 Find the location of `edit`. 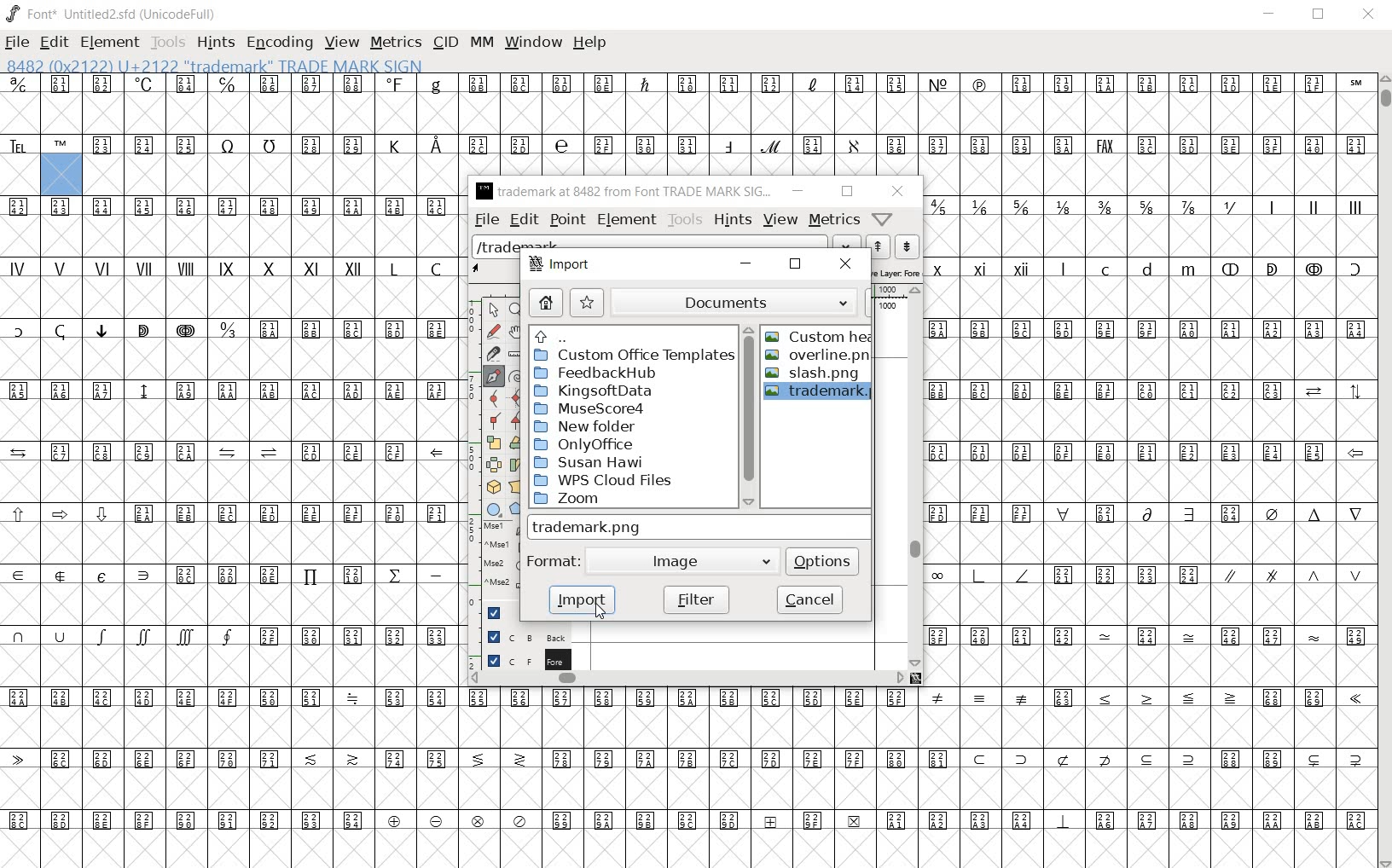

edit is located at coordinates (525, 220).